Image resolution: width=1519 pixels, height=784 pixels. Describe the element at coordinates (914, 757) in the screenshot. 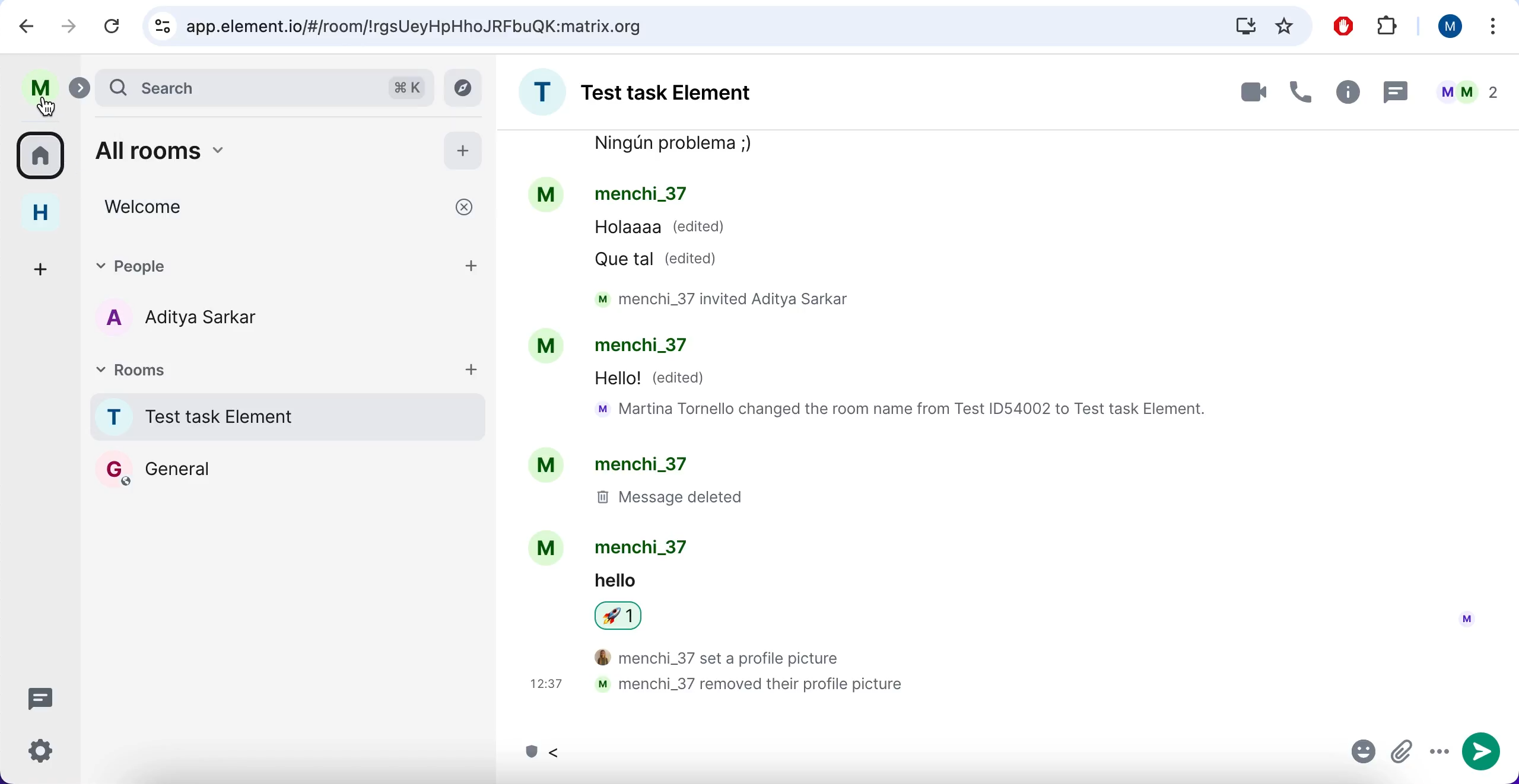

I see `` at that location.